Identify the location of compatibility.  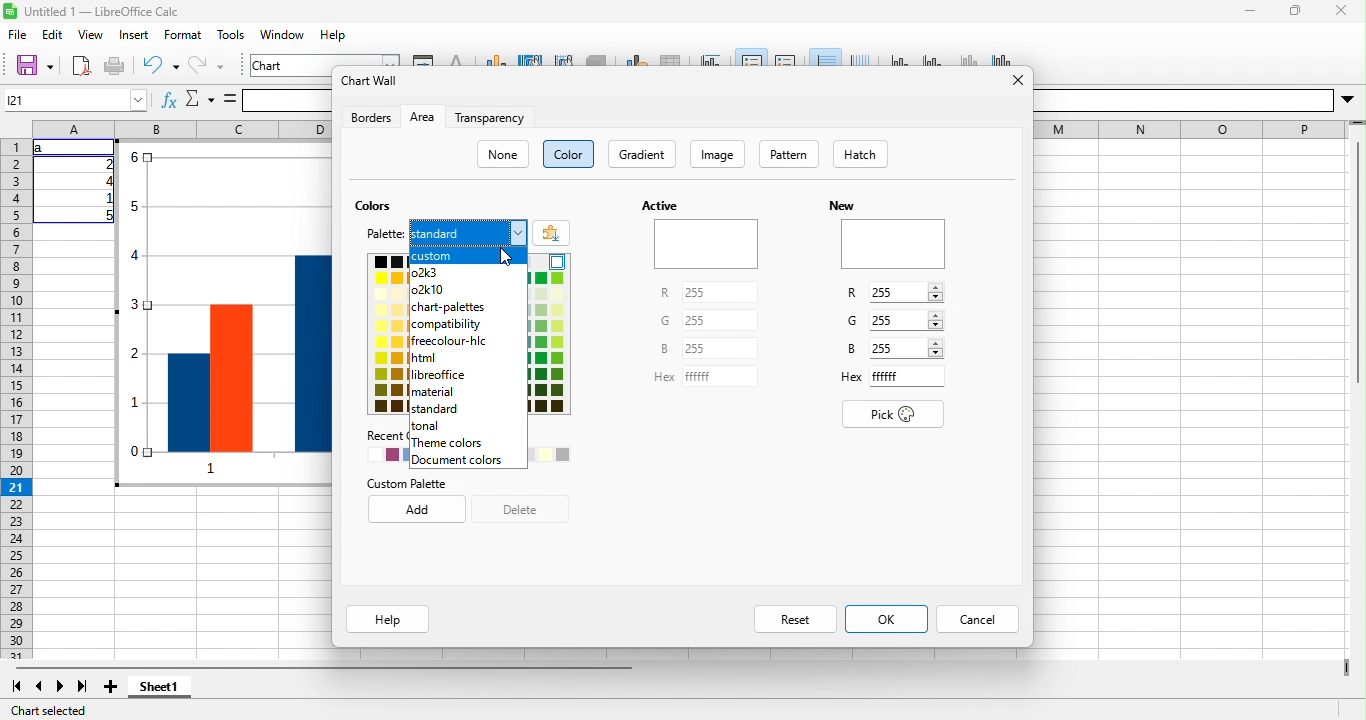
(468, 324).